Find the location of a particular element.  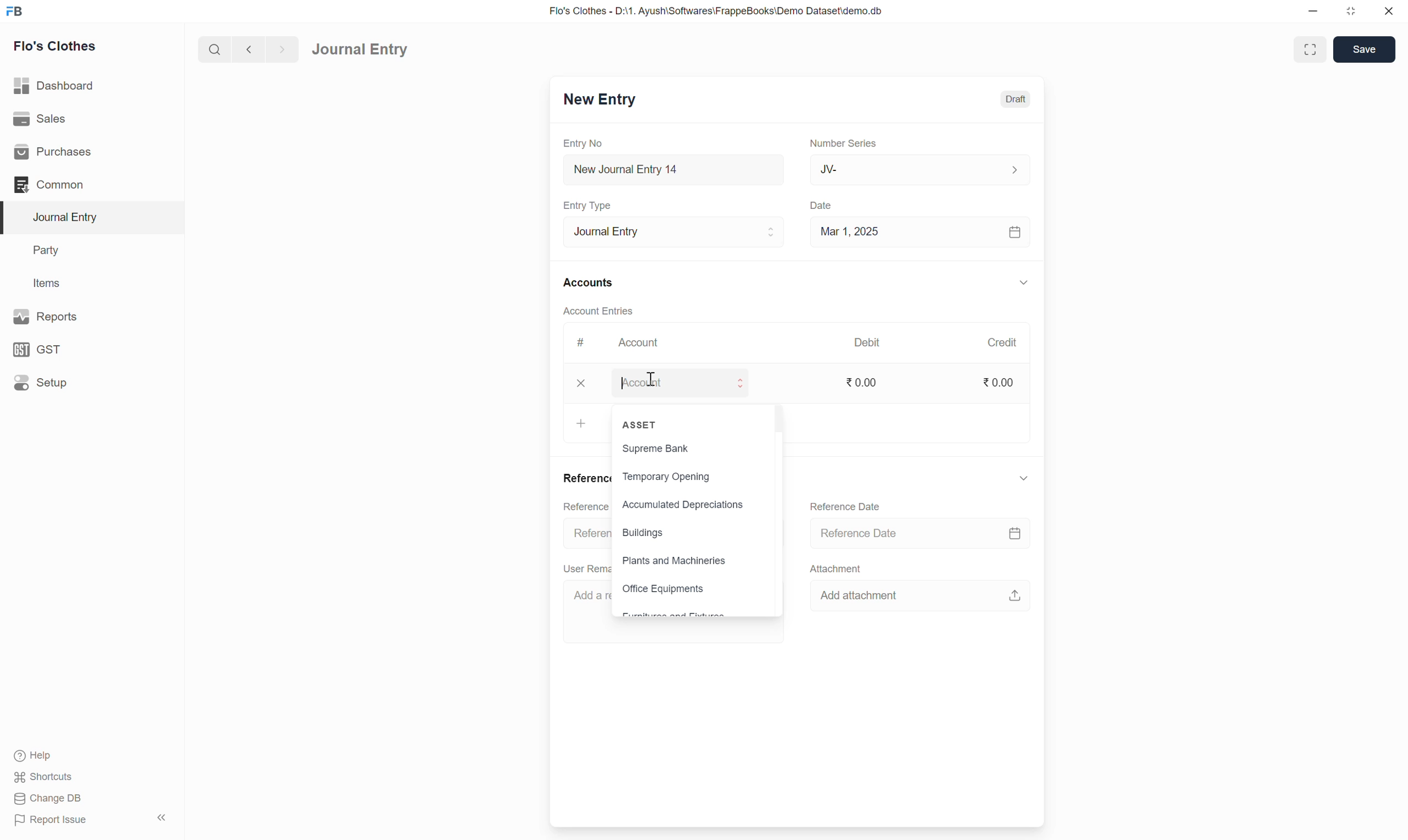

Party is located at coordinates (49, 251).